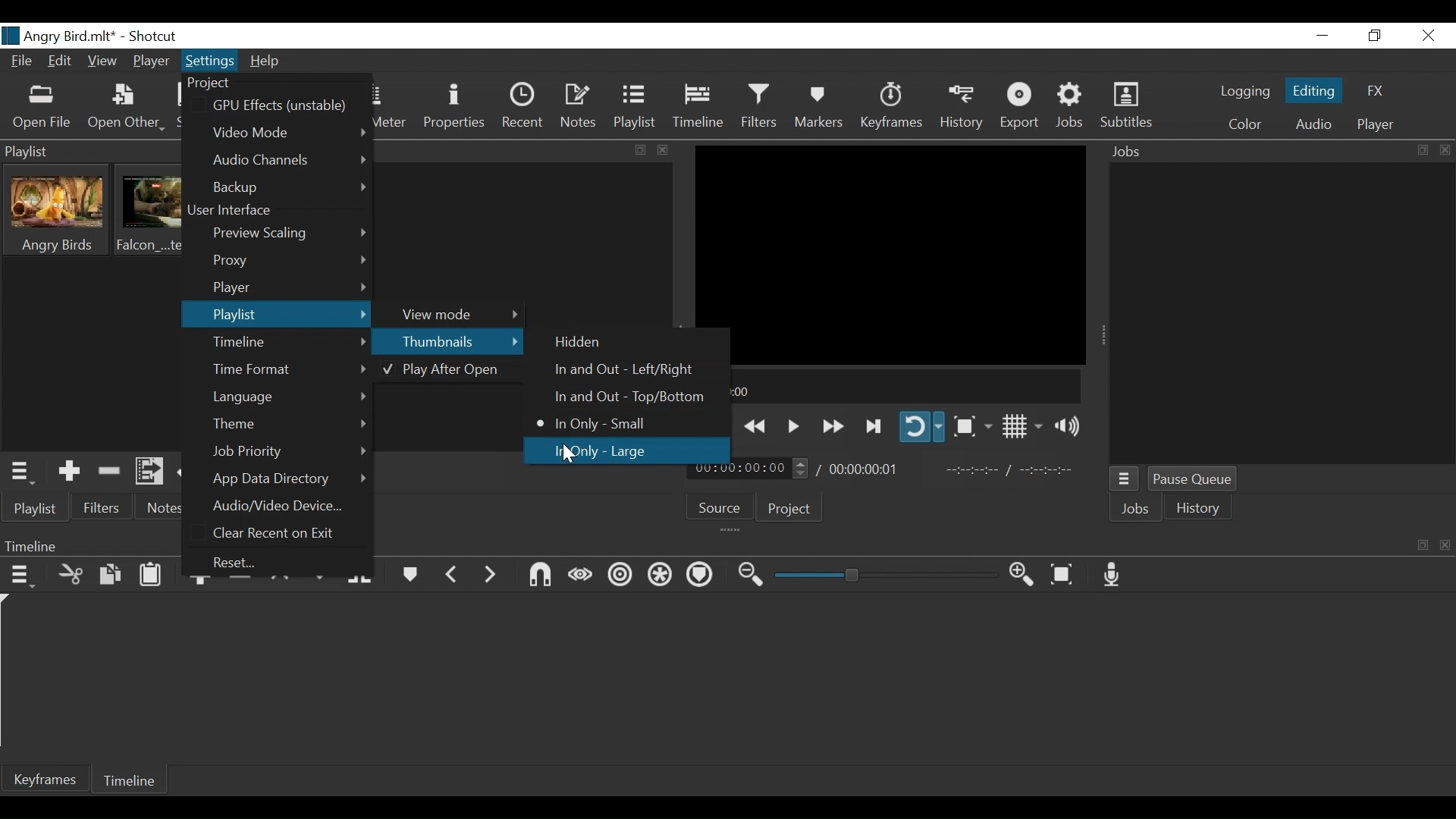 The height and width of the screenshot is (819, 1456). Describe the element at coordinates (577, 108) in the screenshot. I see `Notes` at that location.